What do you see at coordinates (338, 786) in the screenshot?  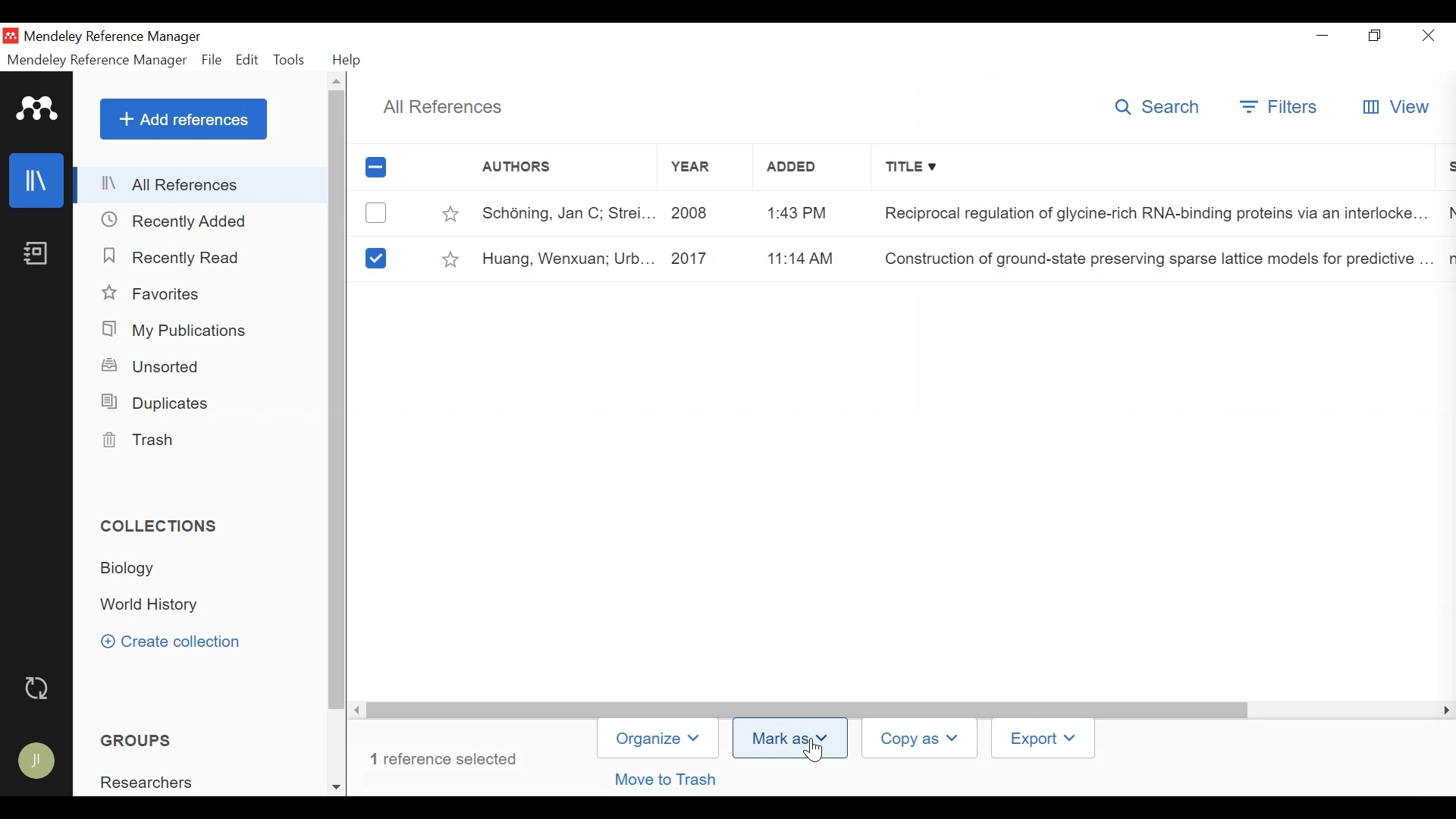 I see `Scroll Down` at bounding box center [338, 786].